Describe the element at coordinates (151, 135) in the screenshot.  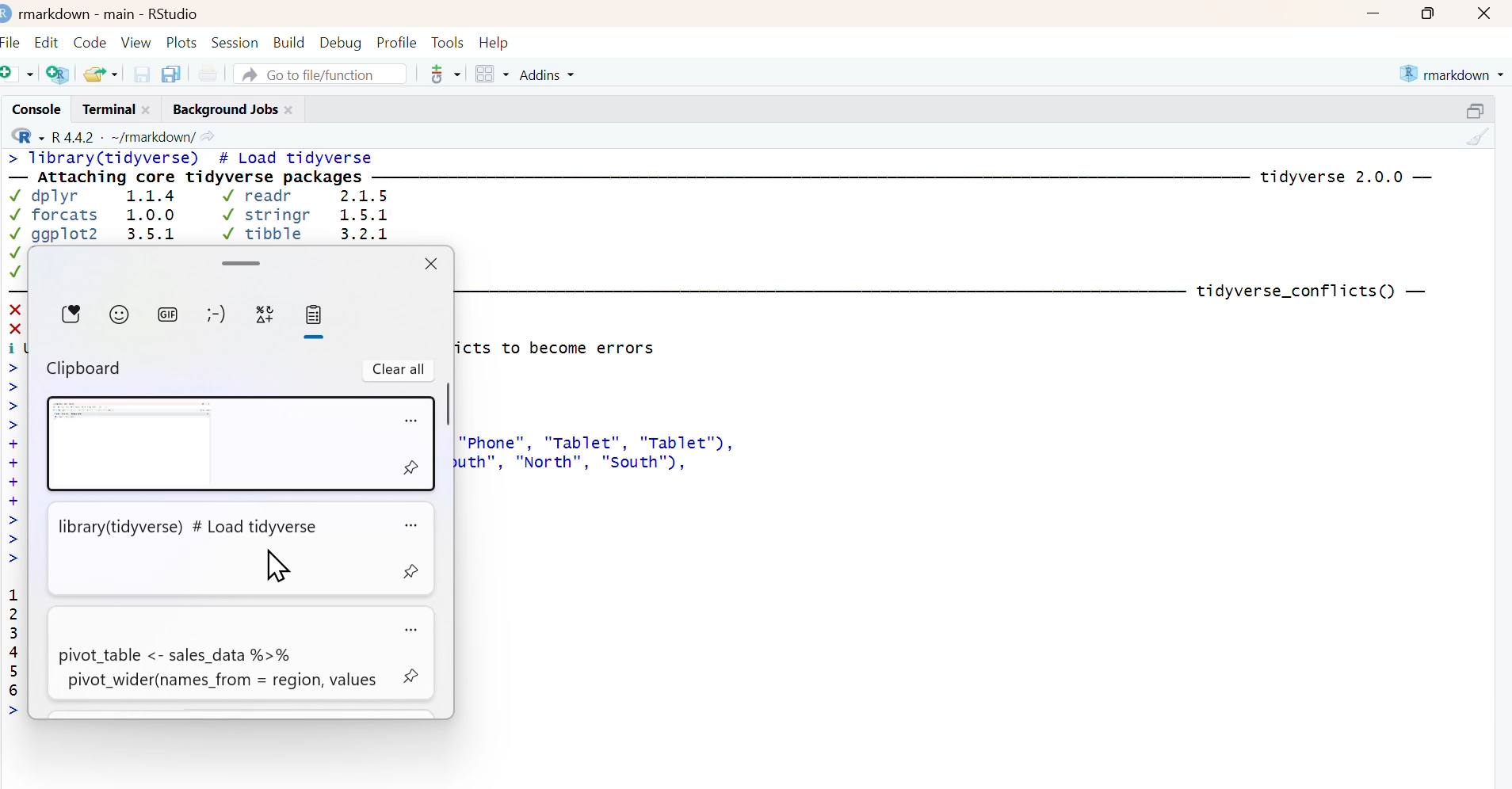
I see `~/markdown` at that location.